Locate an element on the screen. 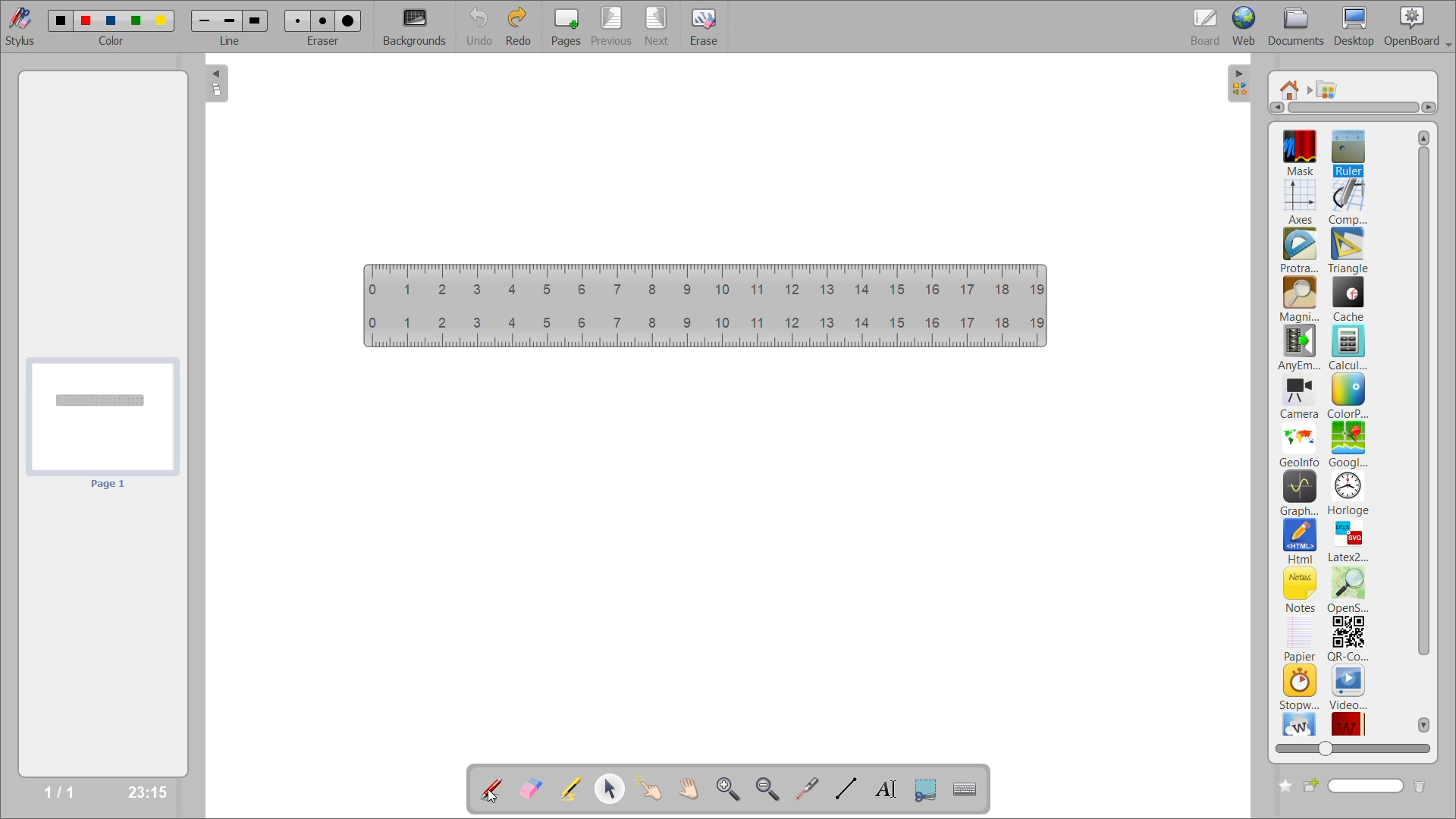 This screenshot has height=819, width=1456. line 3 is located at coordinates (254, 22).